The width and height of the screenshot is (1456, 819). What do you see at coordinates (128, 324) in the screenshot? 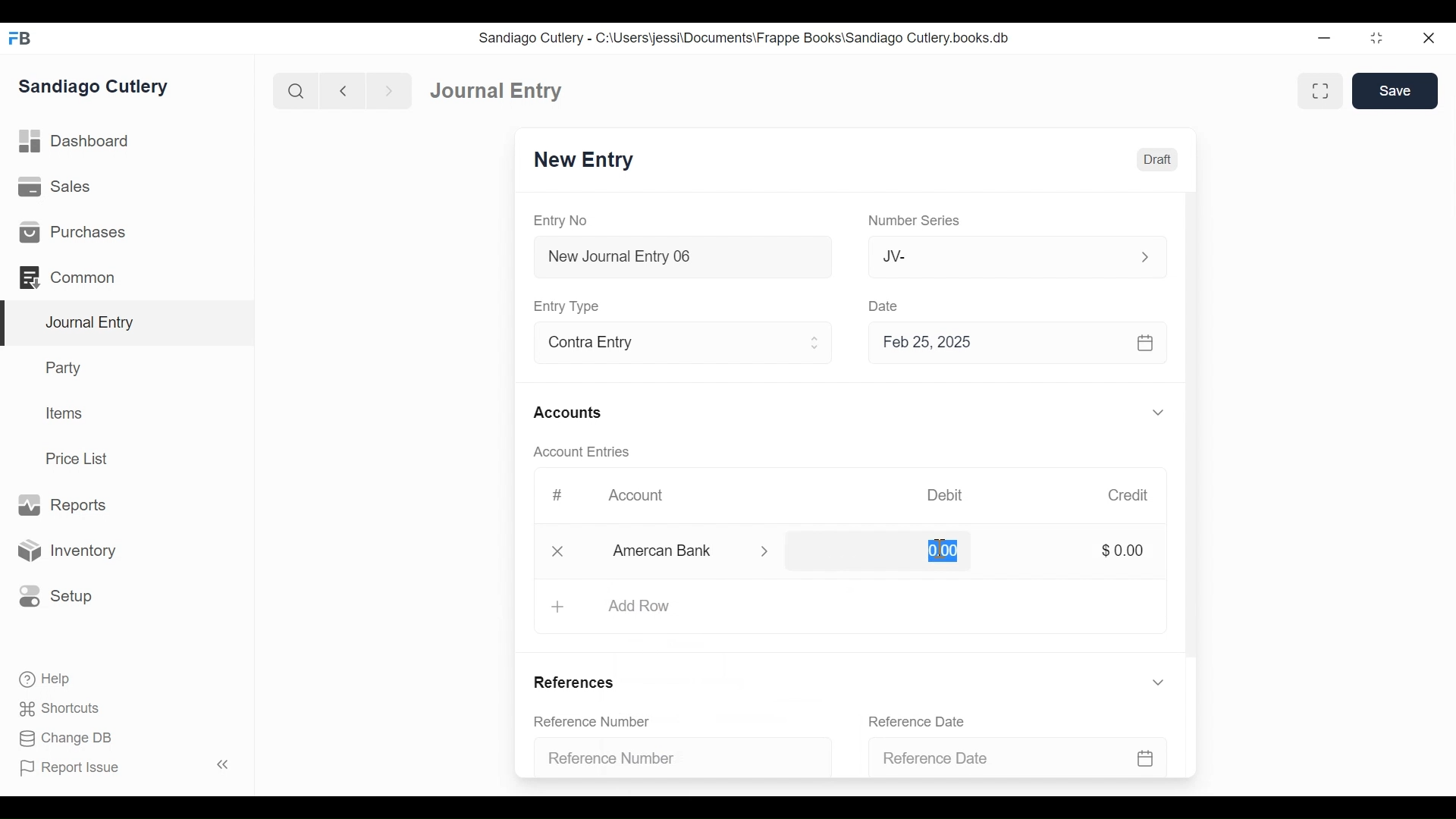
I see `Journal Entry` at bounding box center [128, 324].